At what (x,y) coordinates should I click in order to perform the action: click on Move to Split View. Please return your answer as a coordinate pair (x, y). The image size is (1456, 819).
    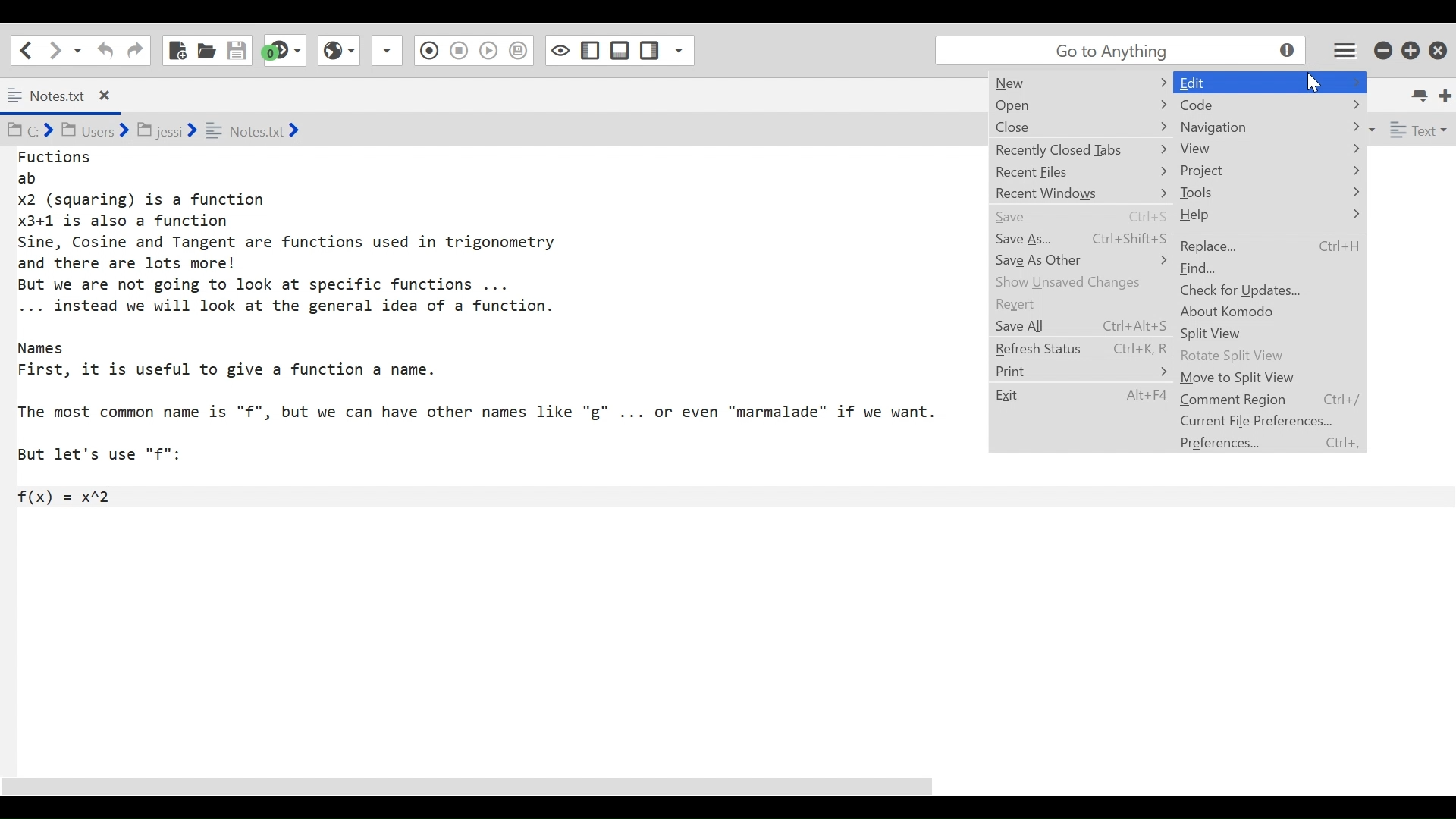
    Looking at the image, I should click on (1254, 378).